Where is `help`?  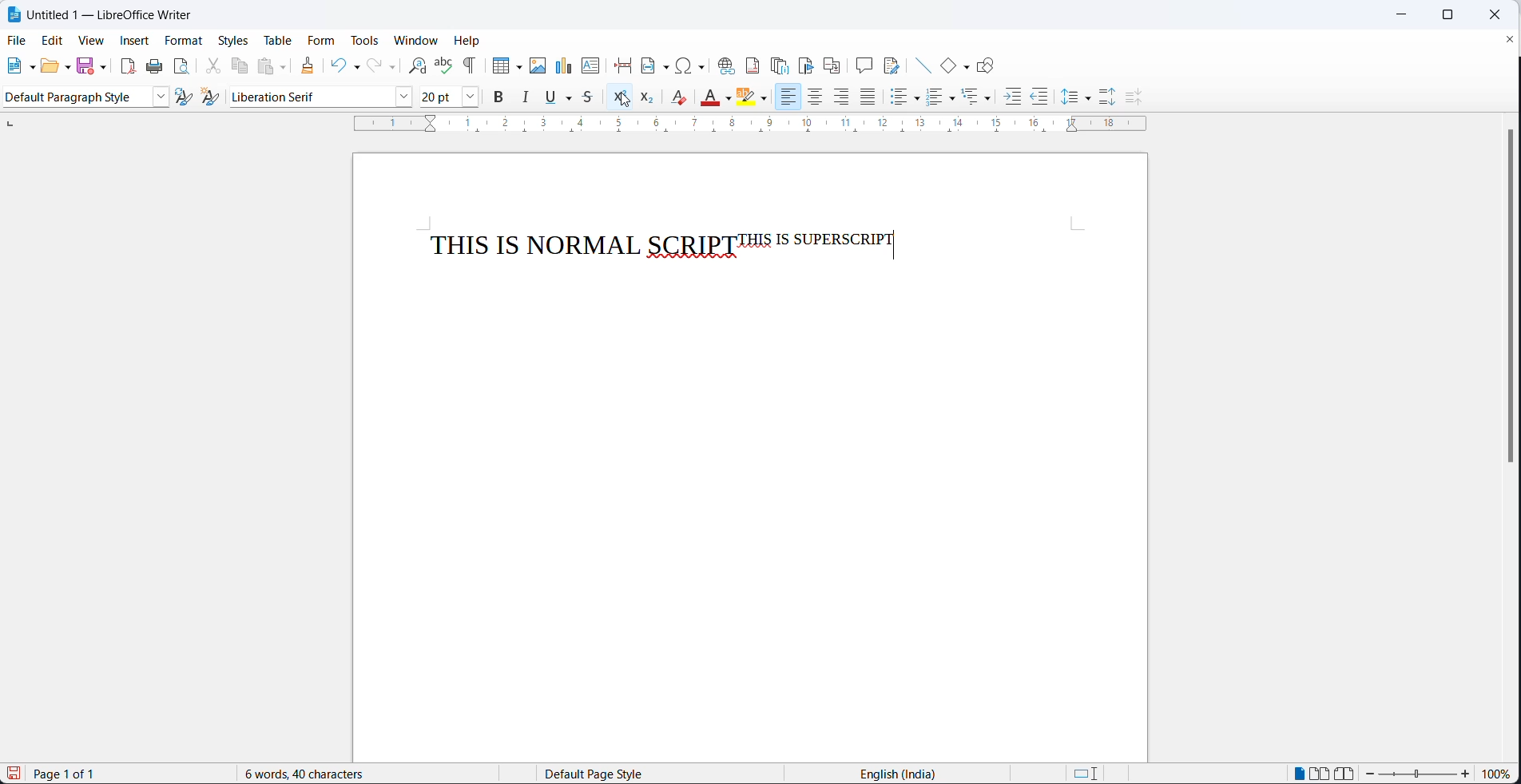
help is located at coordinates (467, 40).